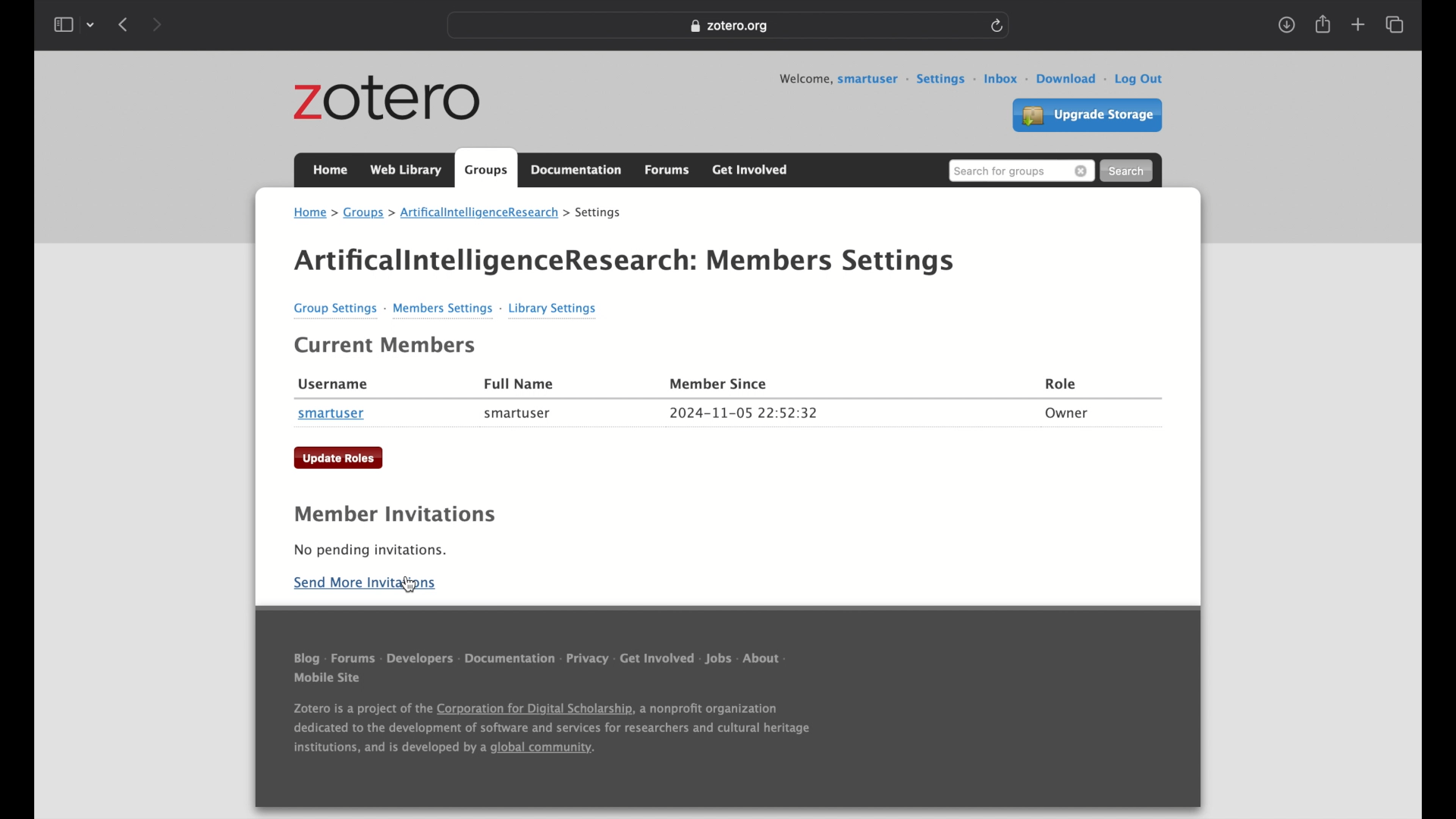 This screenshot has width=1456, height=819. I want to click on library settings, so click(554, 309).